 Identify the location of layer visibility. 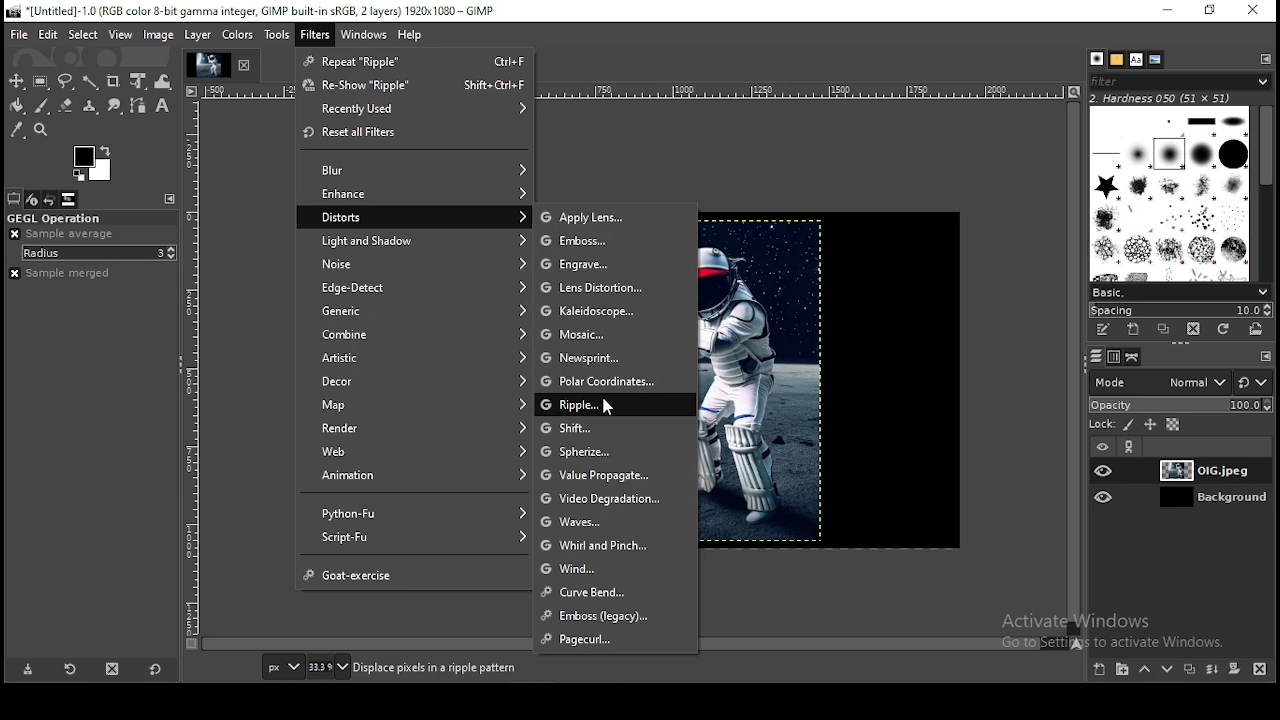
(1105, 496).